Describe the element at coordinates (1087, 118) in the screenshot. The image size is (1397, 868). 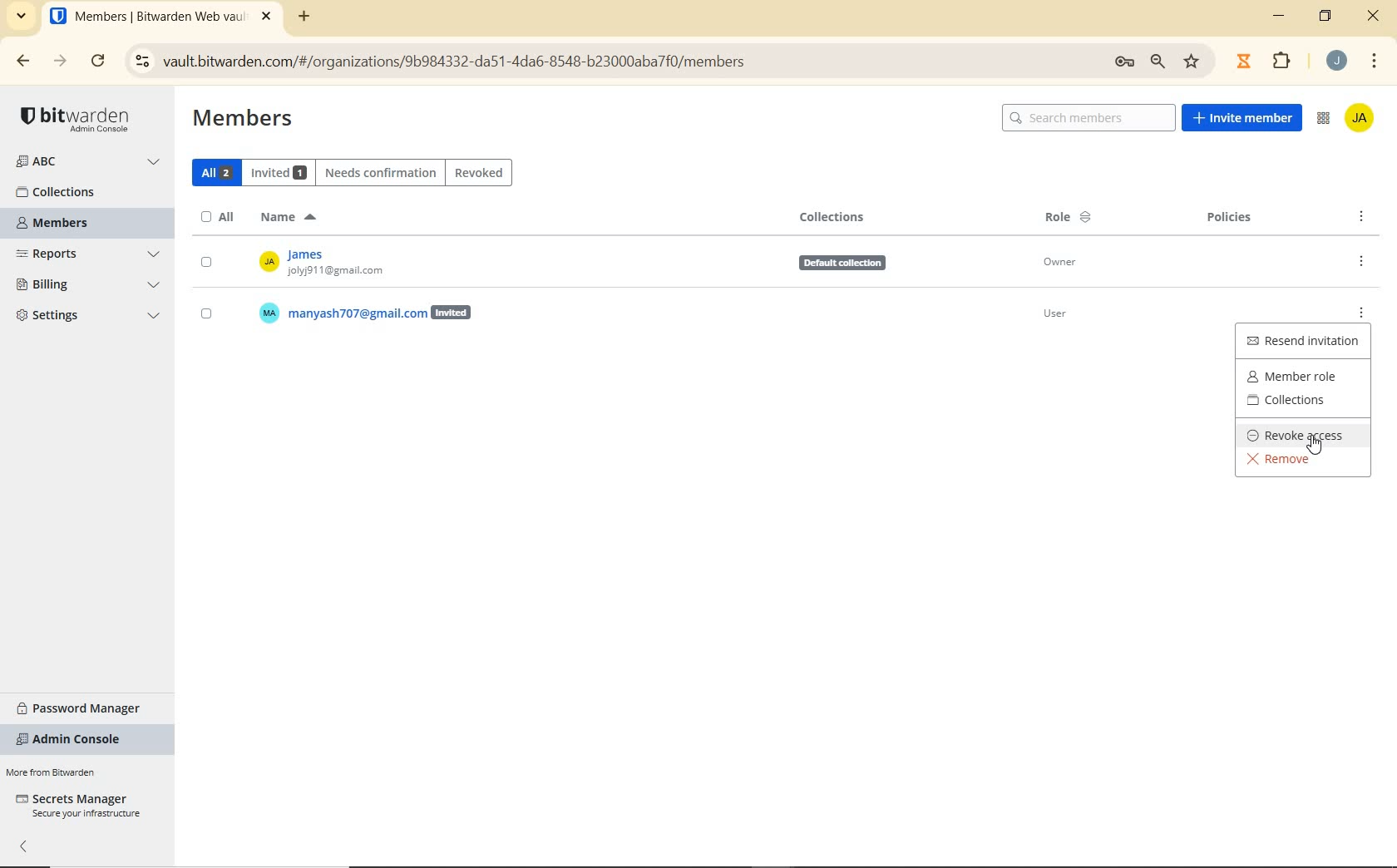
I see `SEARCH MEMBERS` at that location.